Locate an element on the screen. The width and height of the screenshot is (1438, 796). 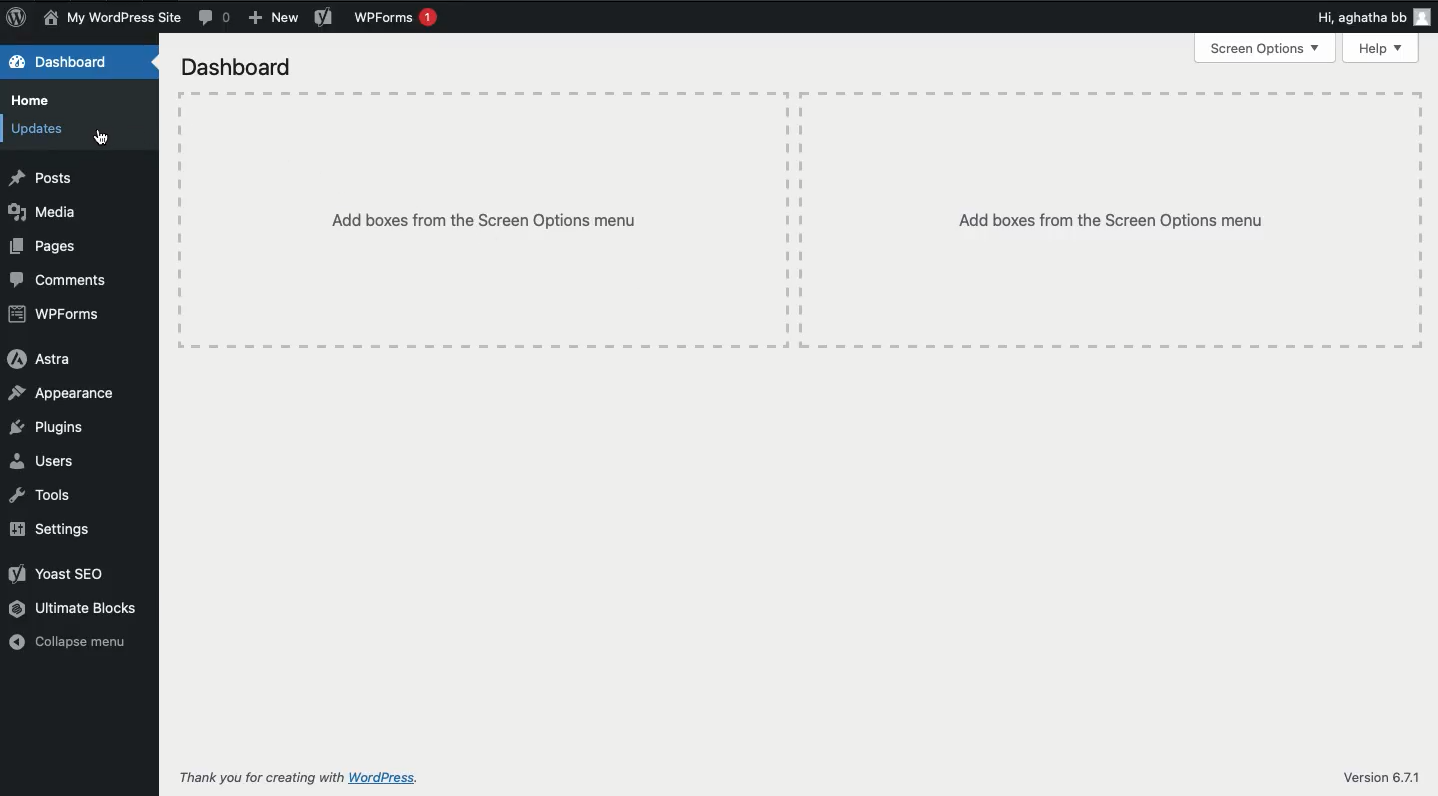
Updates is located at coordinates (42, 132).